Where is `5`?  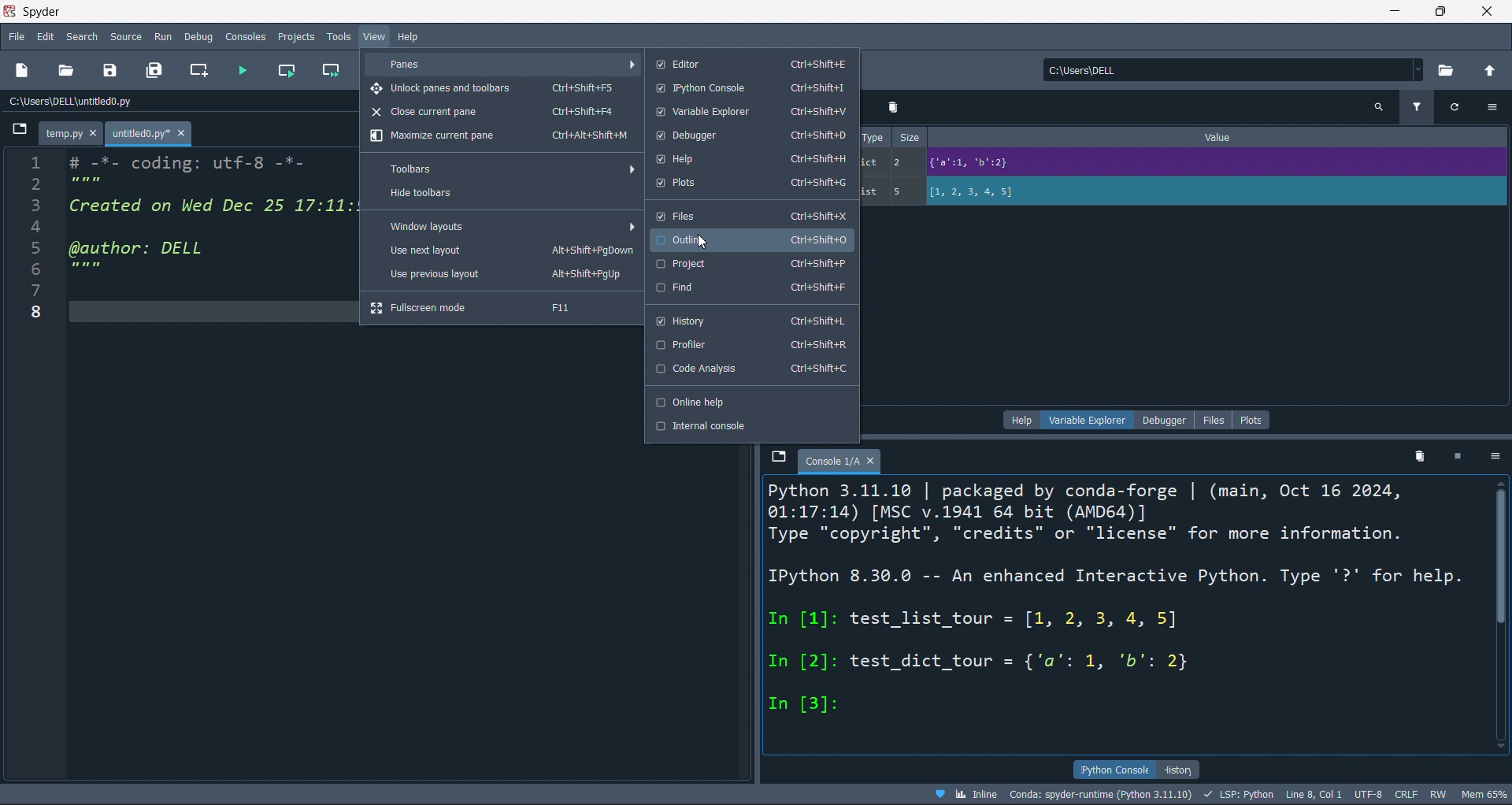 5 is located at coordinates (902, 191).